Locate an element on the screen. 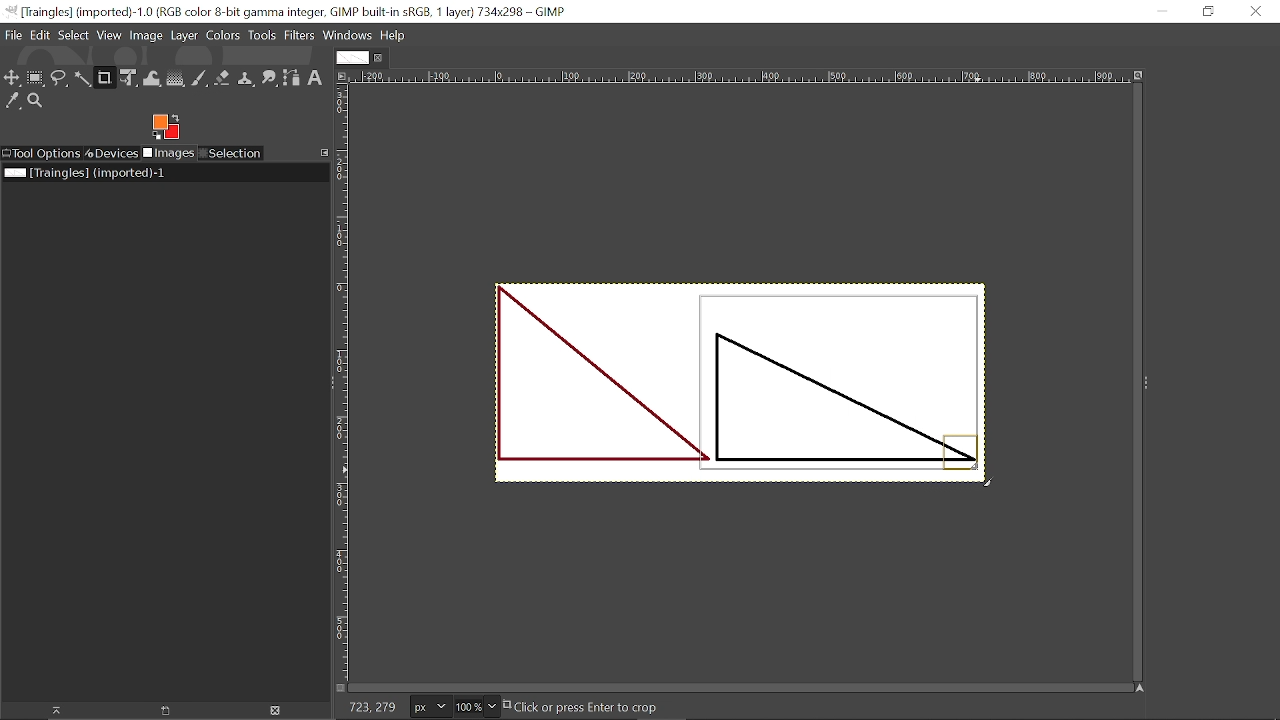  Cropped image is located at coordinates (842, 385).